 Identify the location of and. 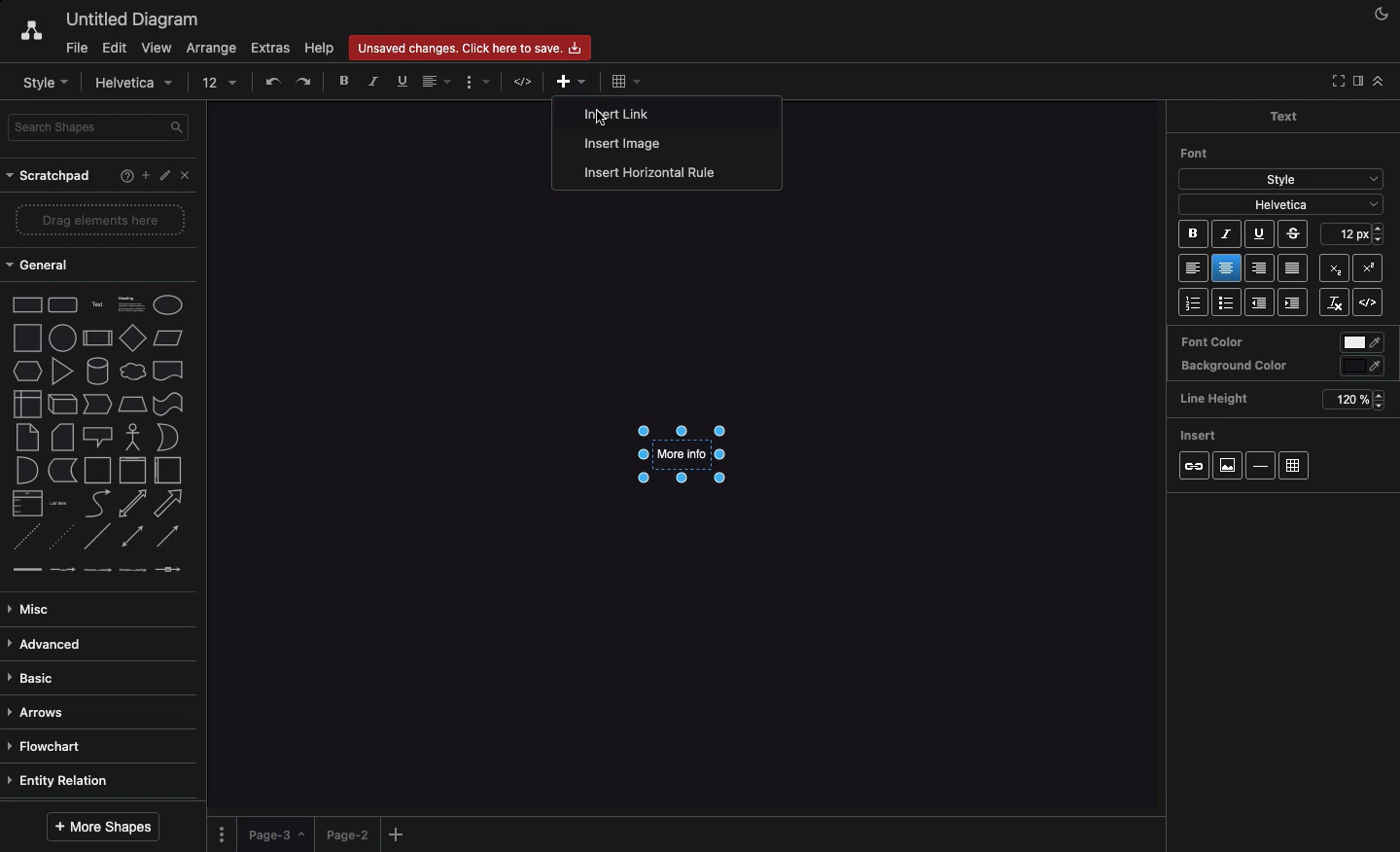
(28, 471).